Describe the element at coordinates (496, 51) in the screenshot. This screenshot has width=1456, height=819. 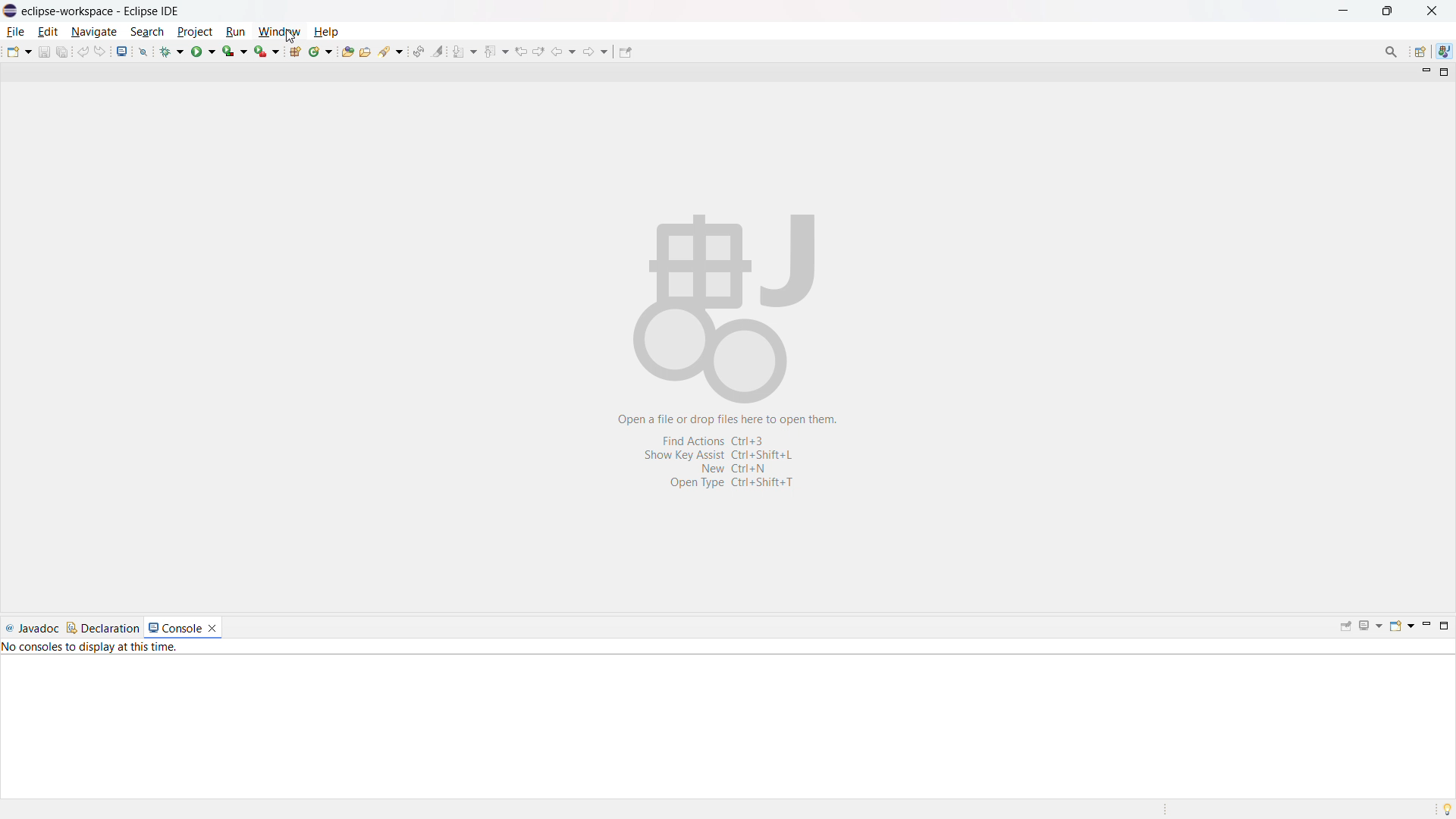
I see `previious annotation` at that location.